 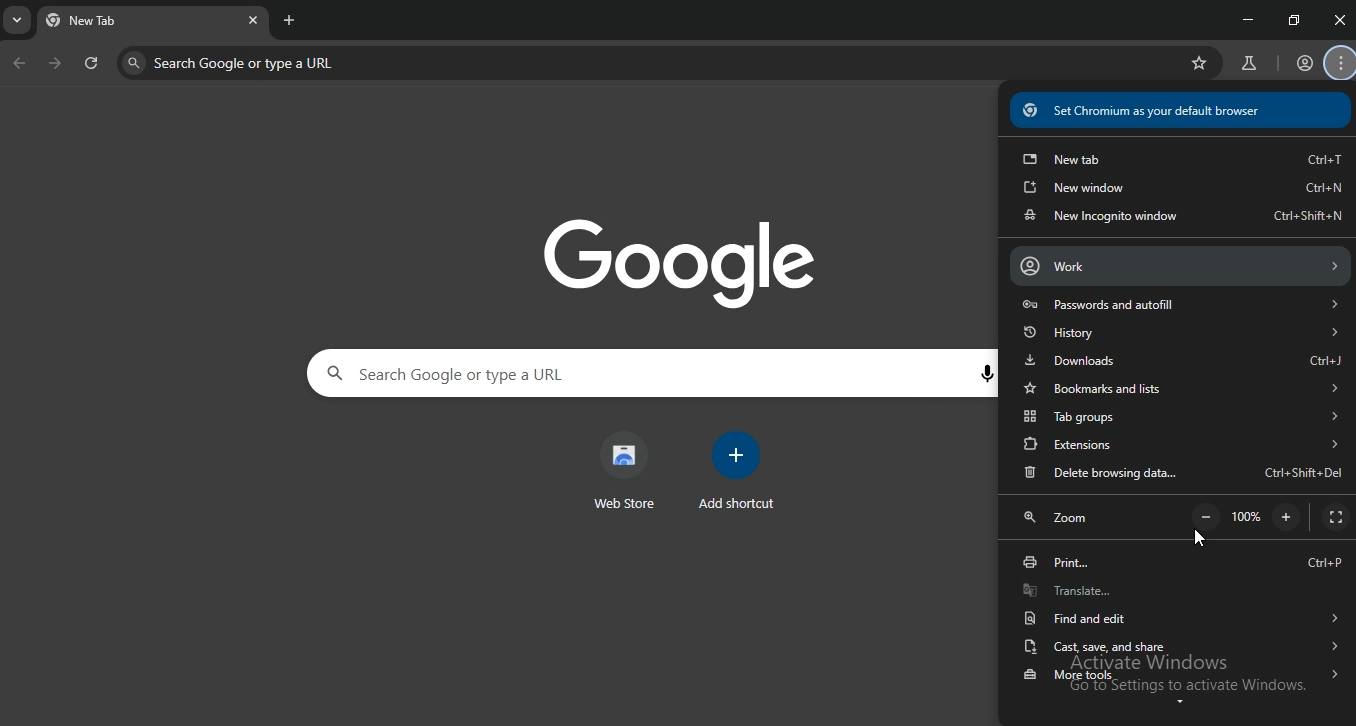 What do you see at coordinates (1179, 332) in the screenshot?
I see `history` at bounding box center [1179, 332].